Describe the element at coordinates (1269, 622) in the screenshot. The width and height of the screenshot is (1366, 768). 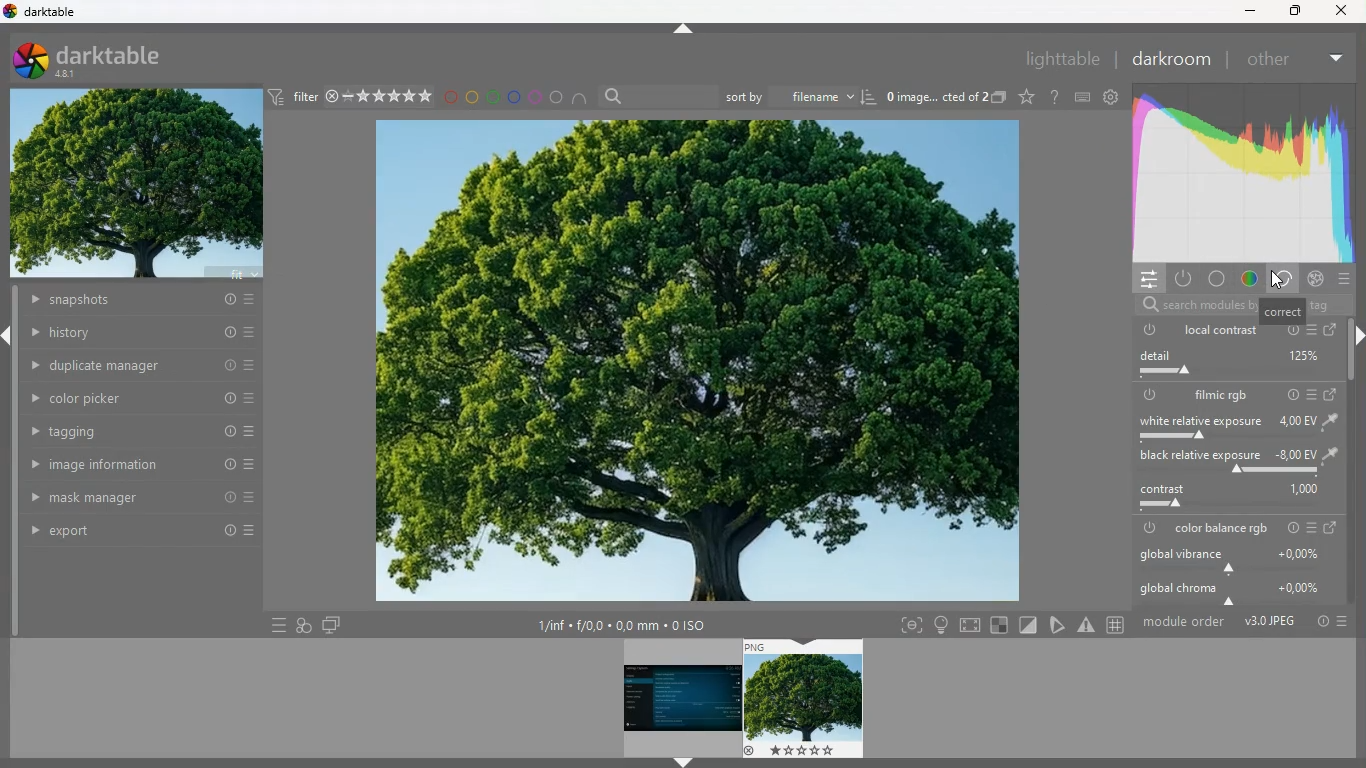
I see `image format` at that location.